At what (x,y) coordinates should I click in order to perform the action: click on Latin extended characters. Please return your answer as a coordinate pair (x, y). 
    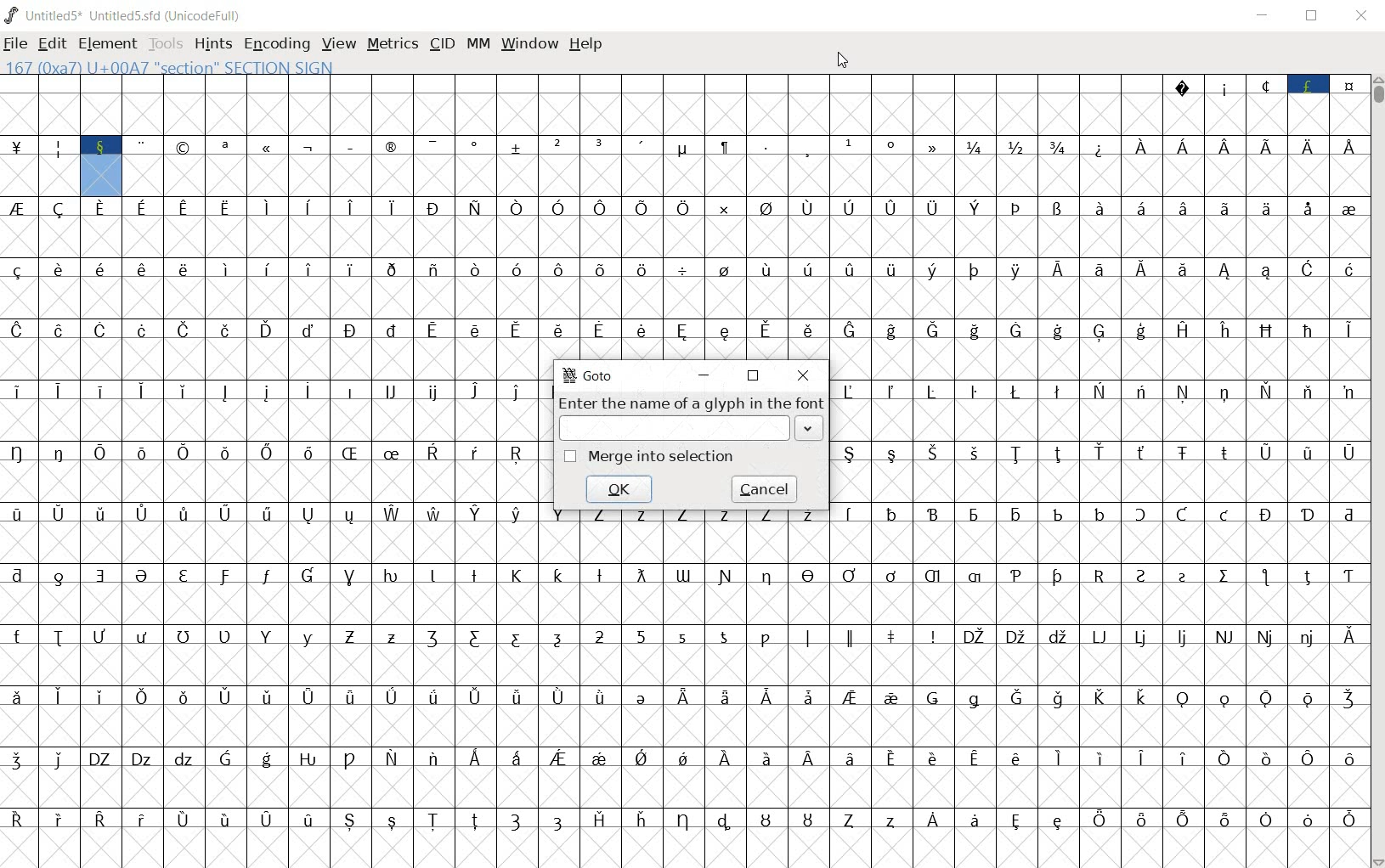
    Looking at the image, I should click on (1036, 807).